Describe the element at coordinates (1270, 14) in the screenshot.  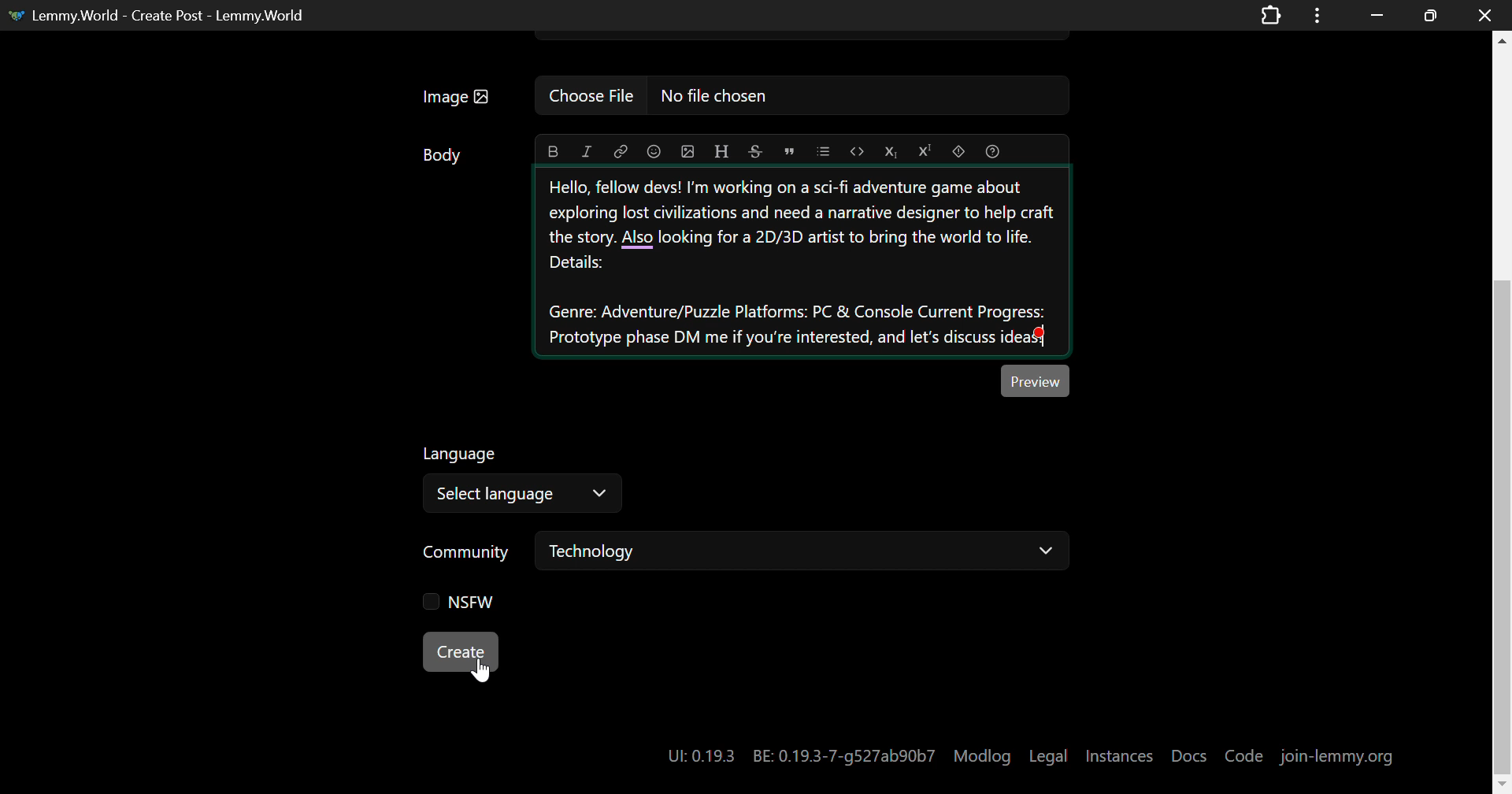
I see `Extensions` at that location.